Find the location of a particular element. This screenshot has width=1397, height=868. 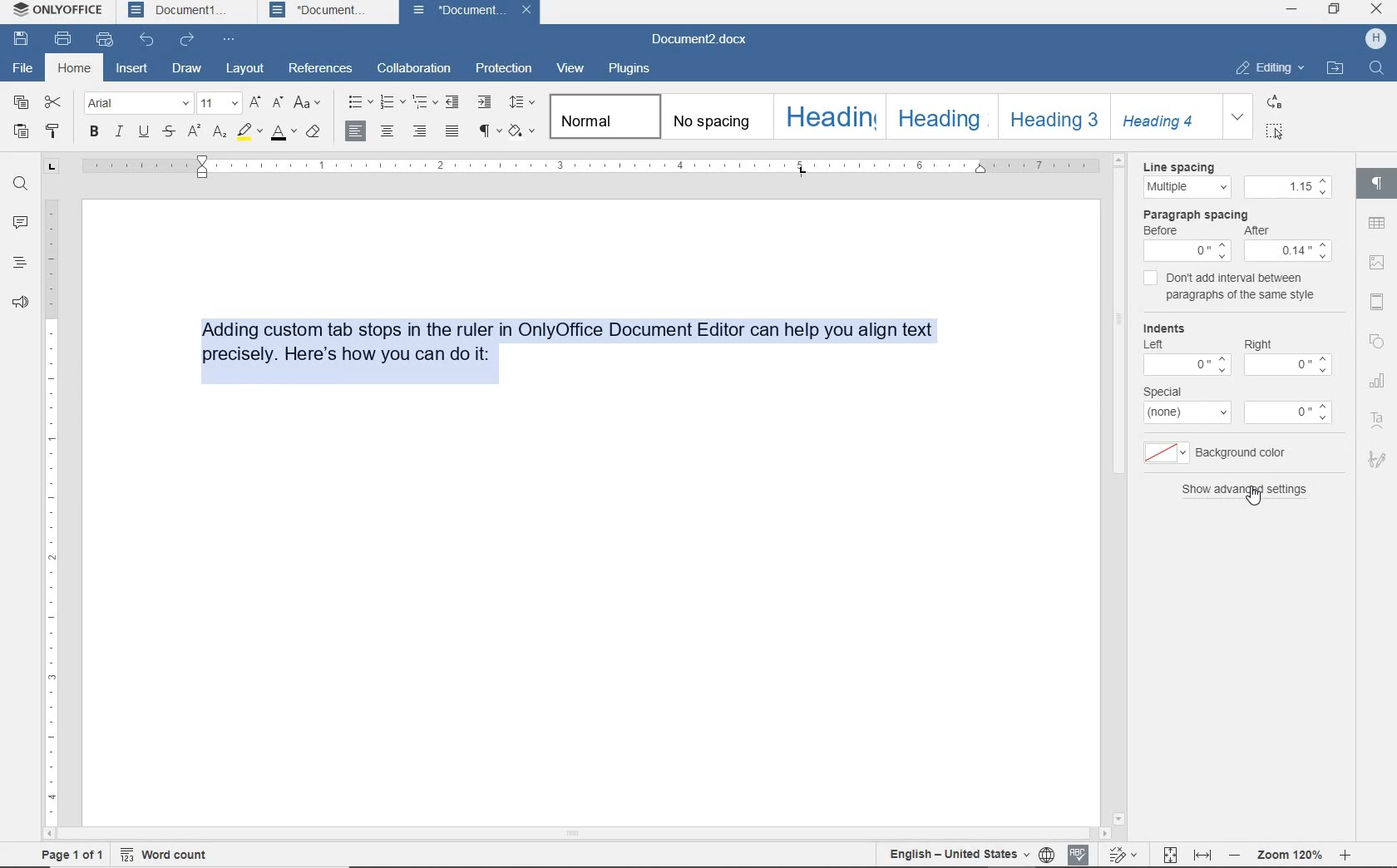

document name is located at coordinates (704, 40).